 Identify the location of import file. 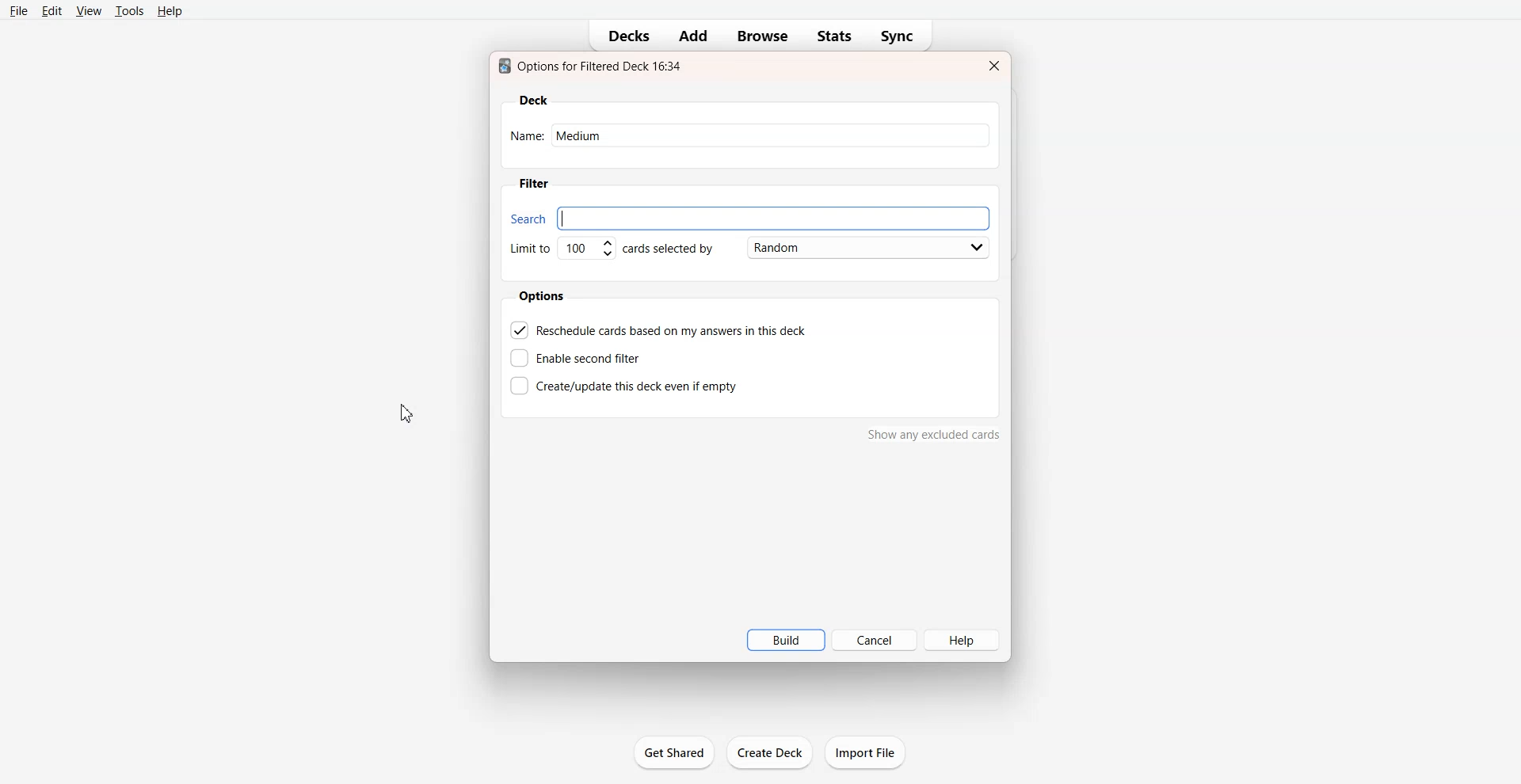
(871, 752).